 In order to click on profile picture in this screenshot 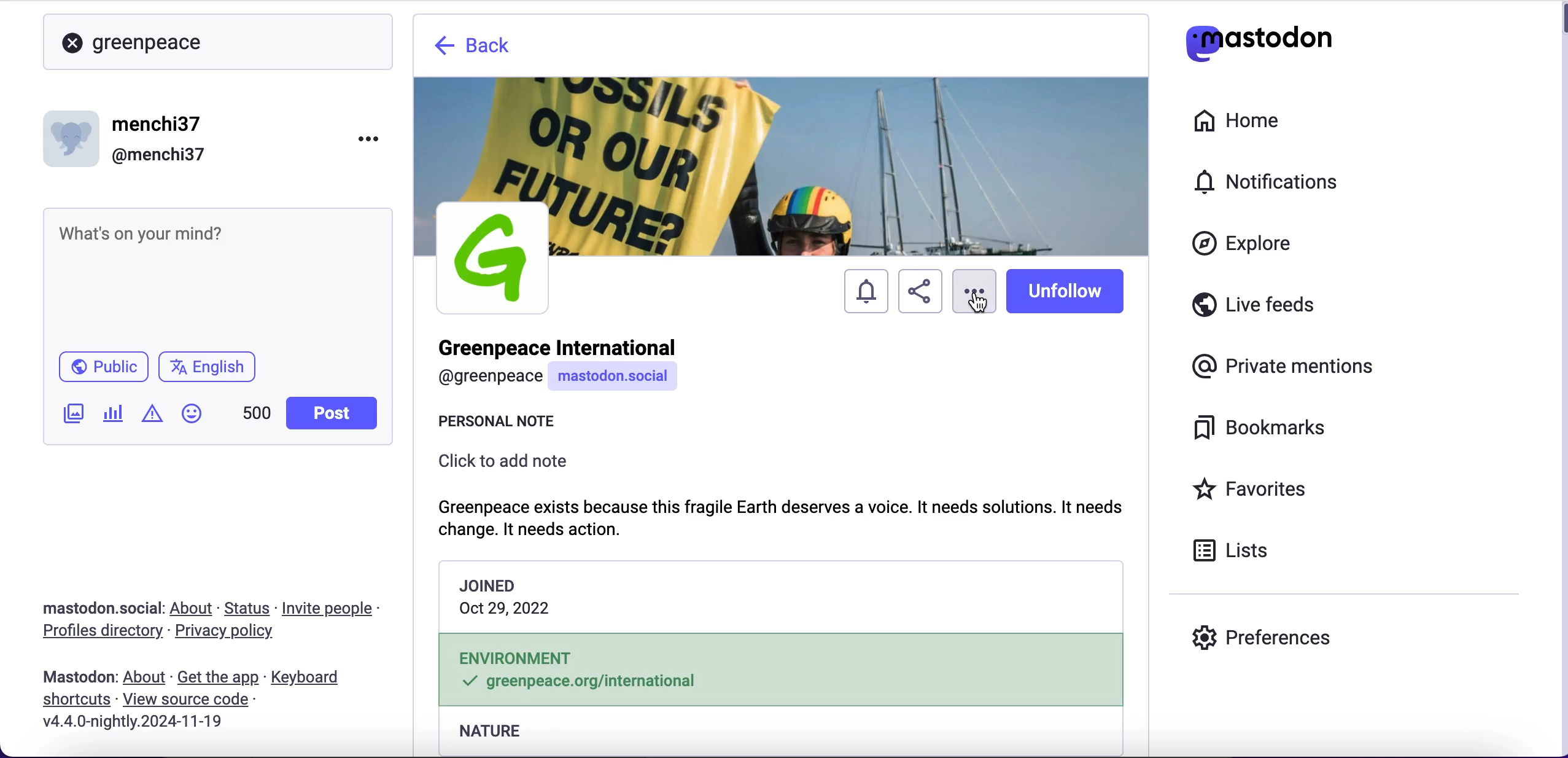, I will do `click(492, 257)`.